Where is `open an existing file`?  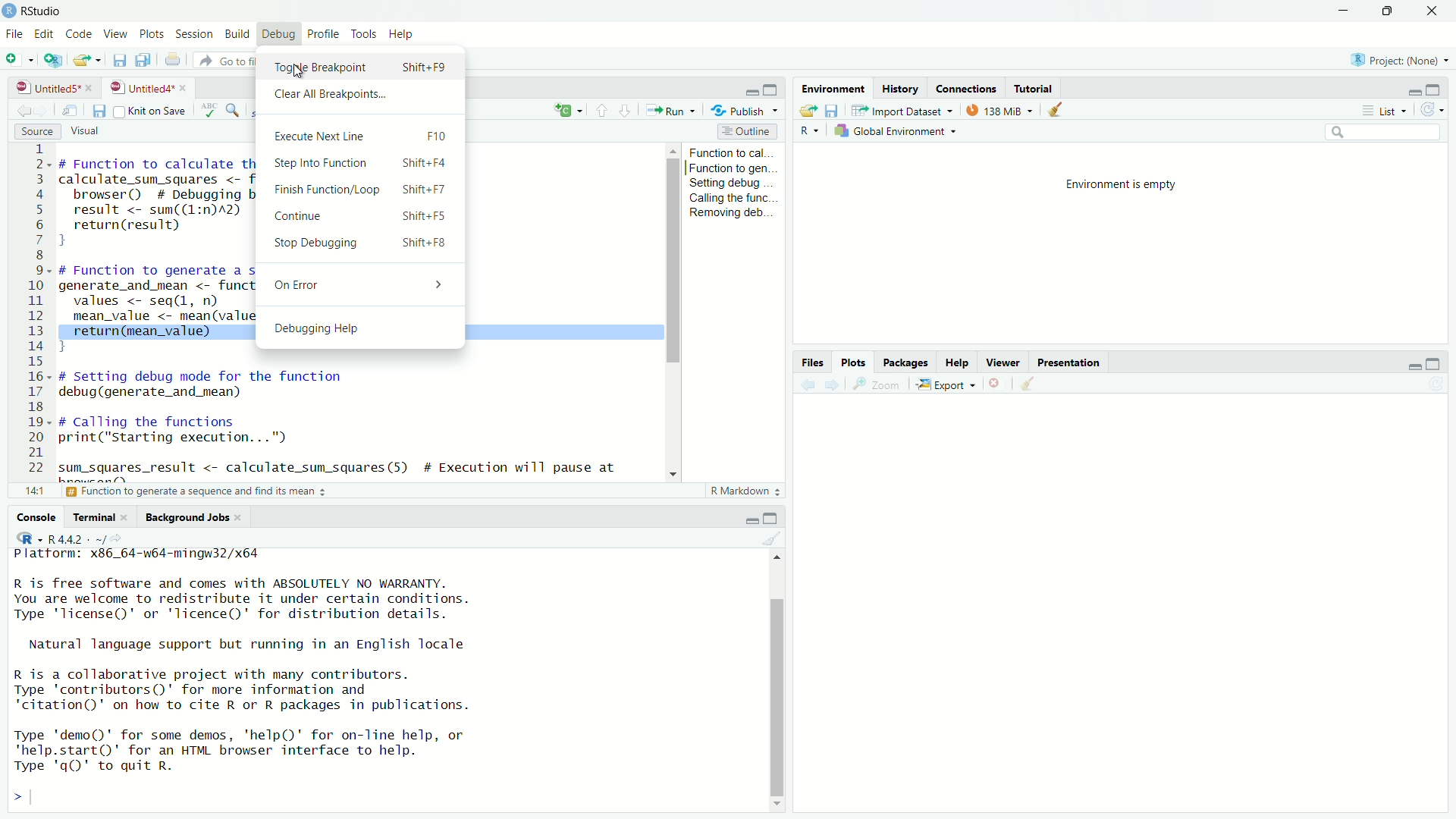
open an existing file is located at coordinates (86, 60).